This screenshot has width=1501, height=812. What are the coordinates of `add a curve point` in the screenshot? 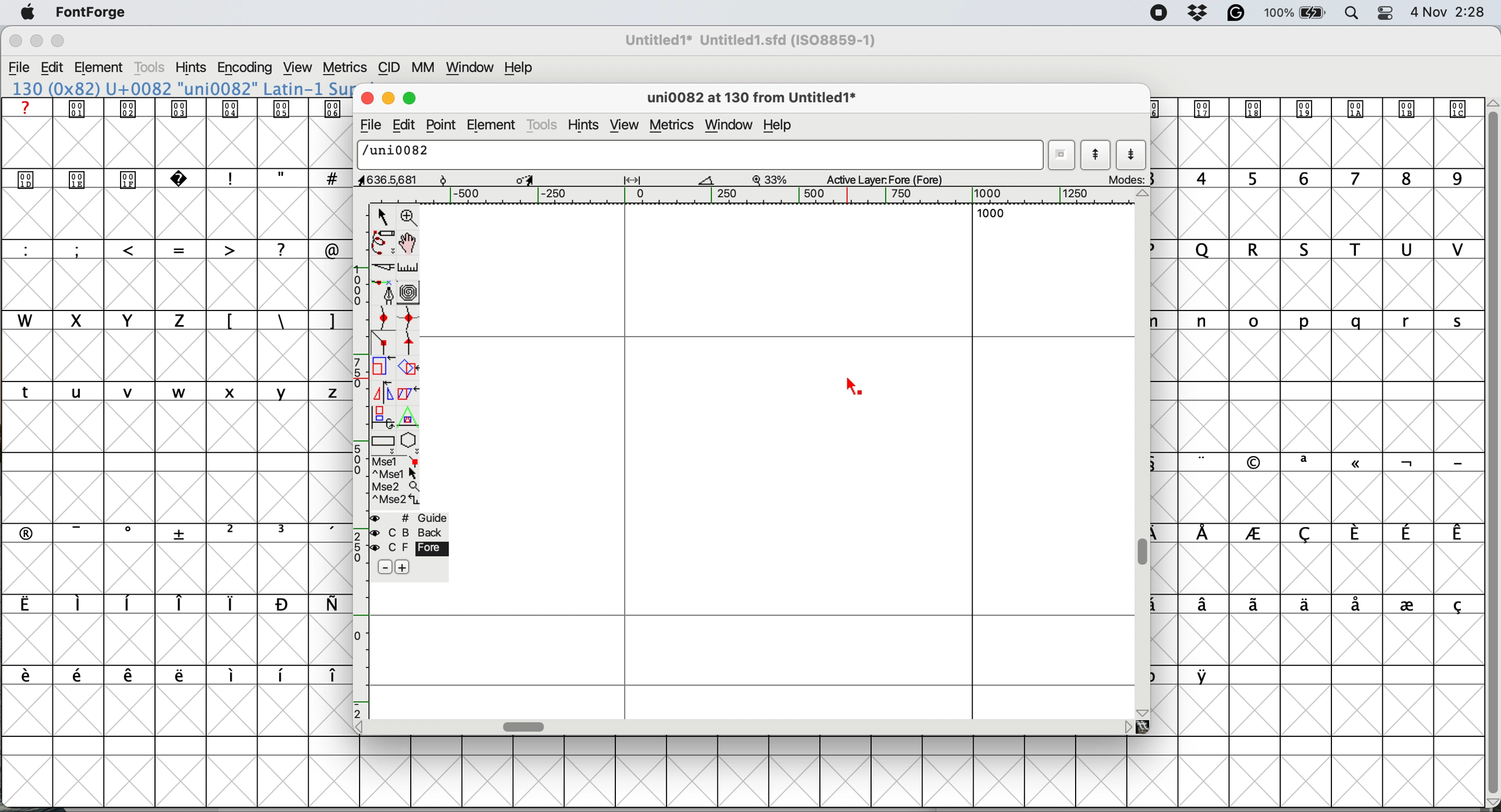 It's located at (383, 317).